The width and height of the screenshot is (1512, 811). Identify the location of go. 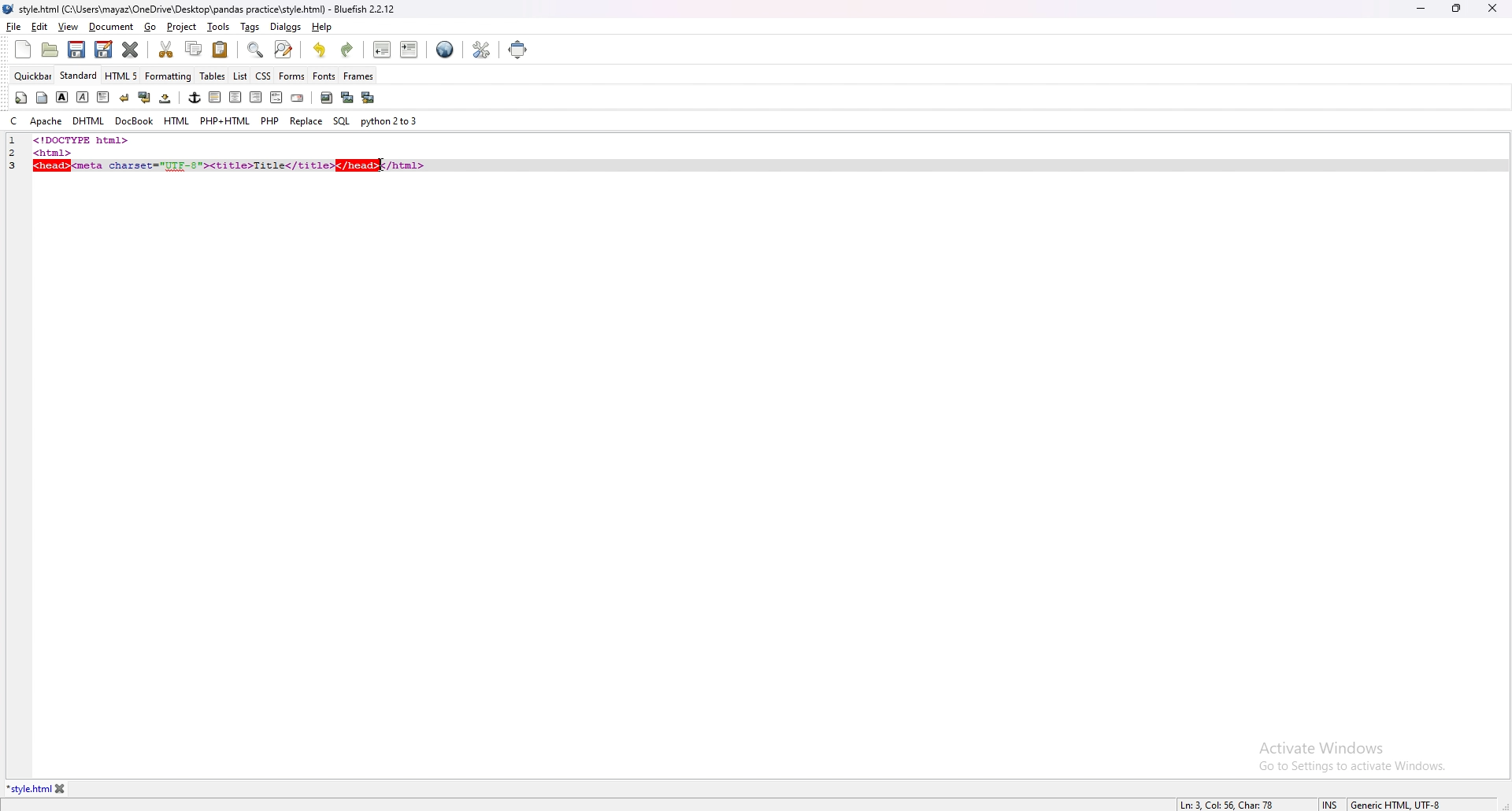
(152, 28).